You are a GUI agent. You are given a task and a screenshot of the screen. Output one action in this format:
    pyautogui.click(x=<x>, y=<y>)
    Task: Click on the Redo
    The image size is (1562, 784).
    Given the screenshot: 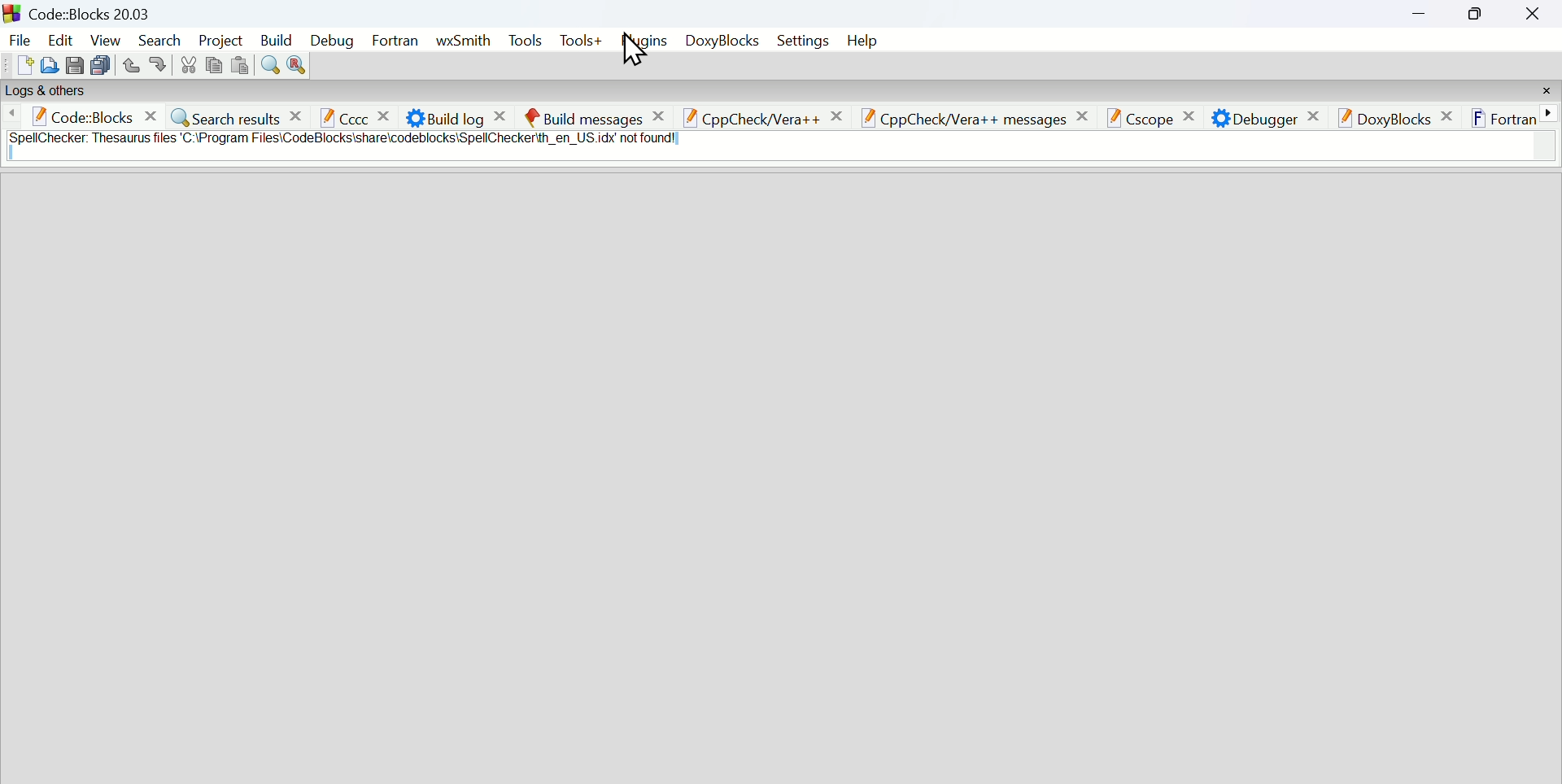 What is the action you would take?
    pyautogui.click(x=159, y=65)
    